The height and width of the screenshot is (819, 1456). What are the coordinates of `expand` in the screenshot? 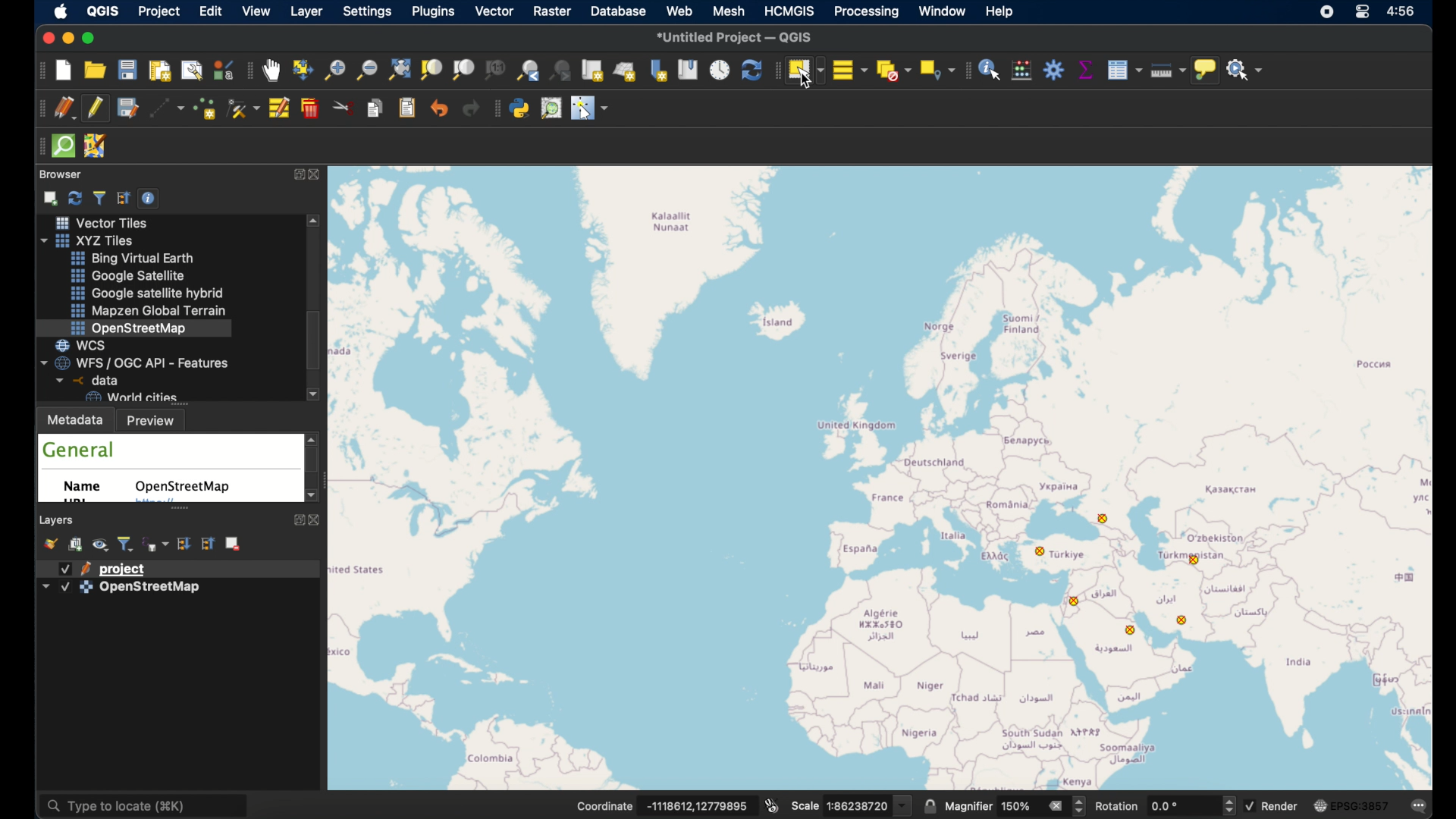 It's located at (297, 522).